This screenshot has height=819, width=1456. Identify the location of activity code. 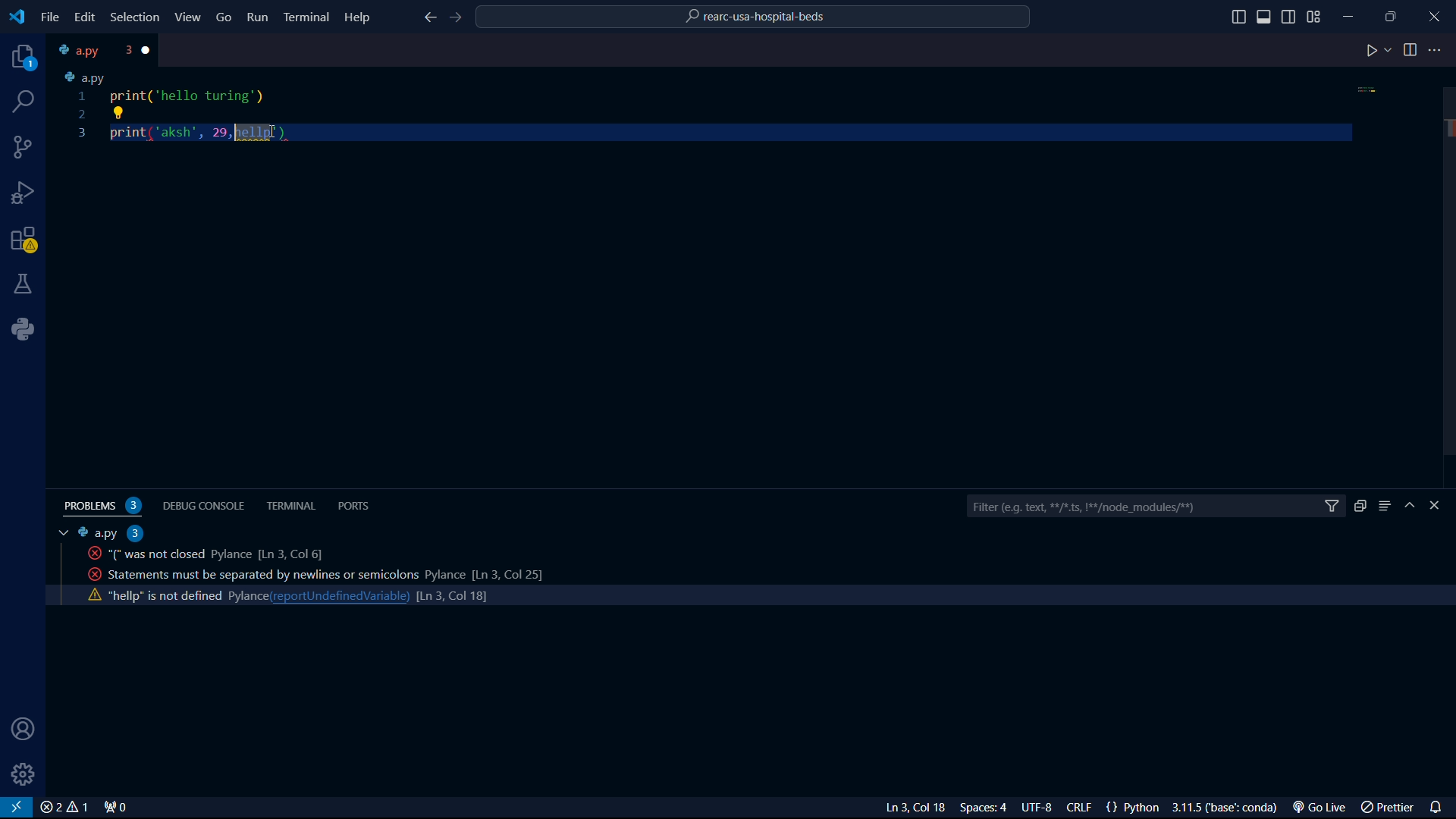
(200, 554).